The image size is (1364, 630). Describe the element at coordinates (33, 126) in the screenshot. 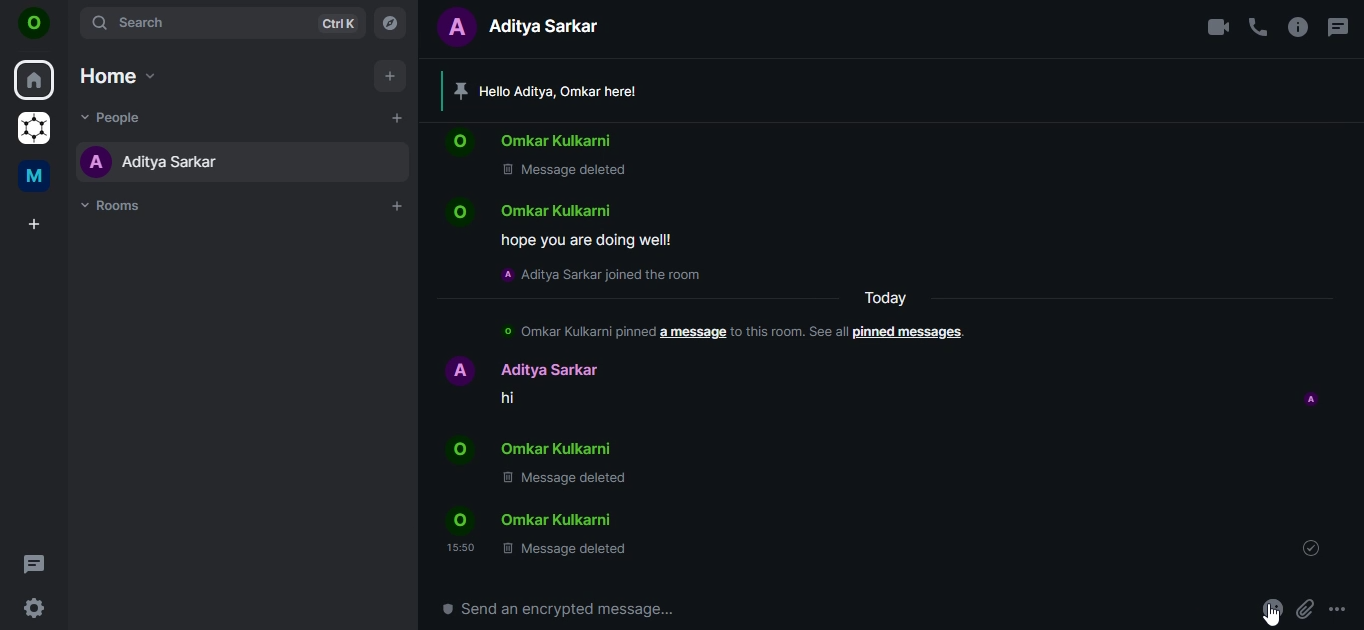

I see `grapheneOS` at that location.